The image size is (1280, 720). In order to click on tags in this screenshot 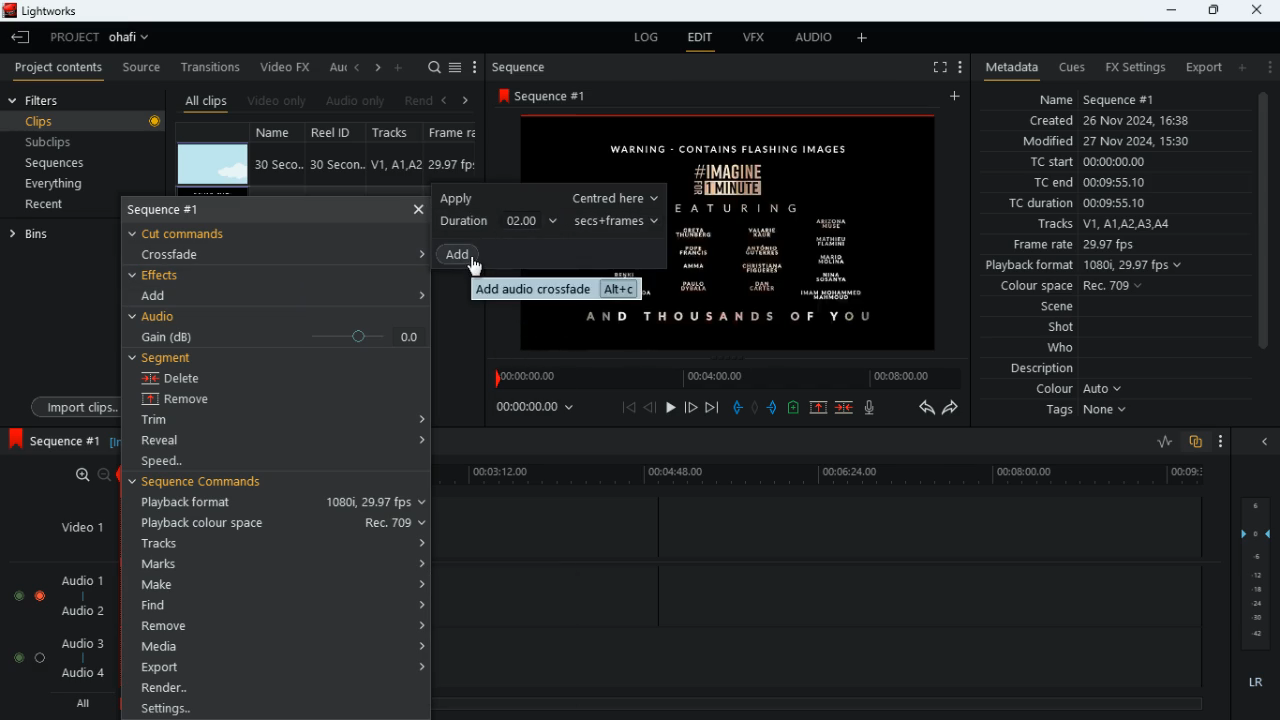, I will do `click(1091, 411)`.